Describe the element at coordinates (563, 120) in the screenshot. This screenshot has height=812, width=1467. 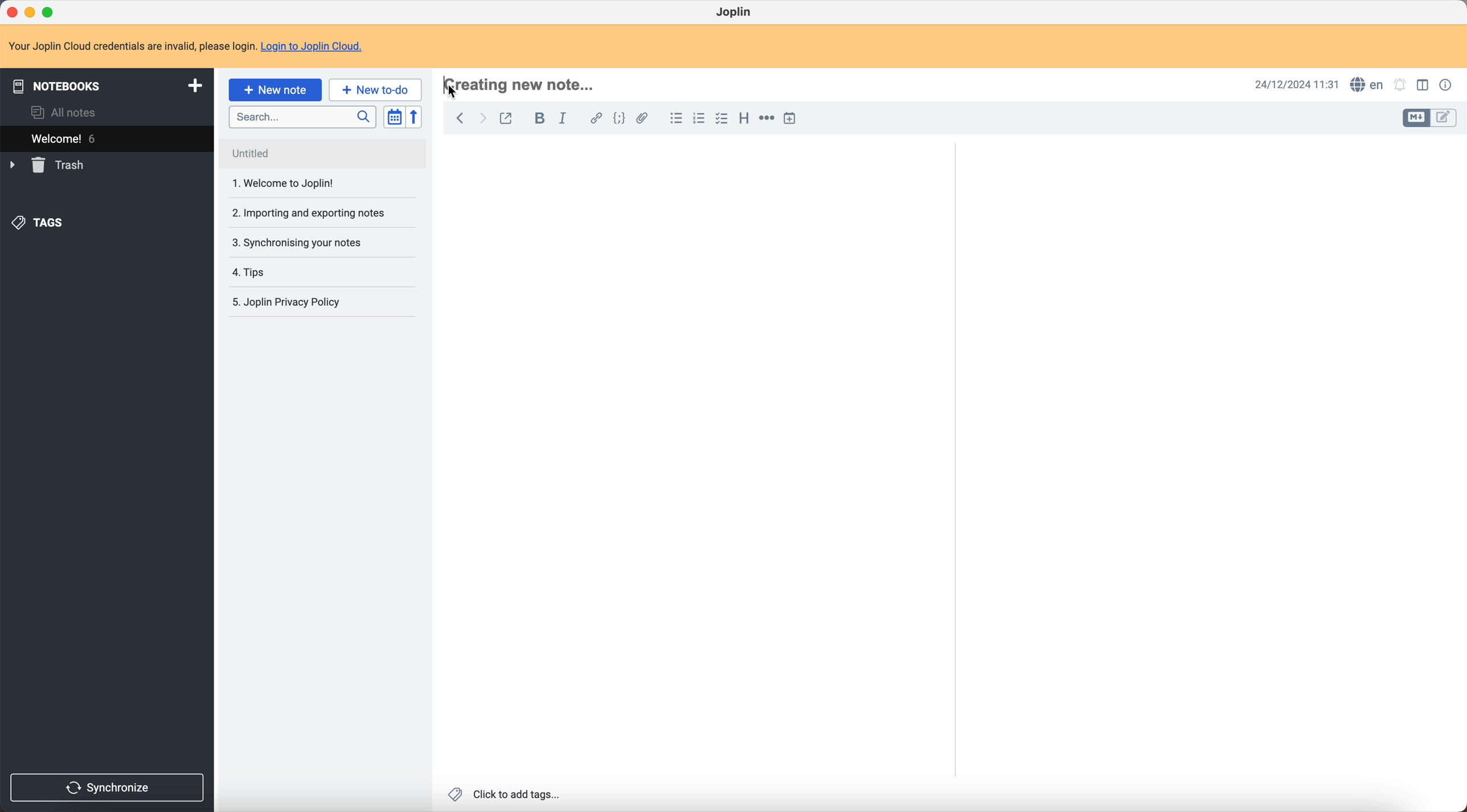
I see `italic` at that location.